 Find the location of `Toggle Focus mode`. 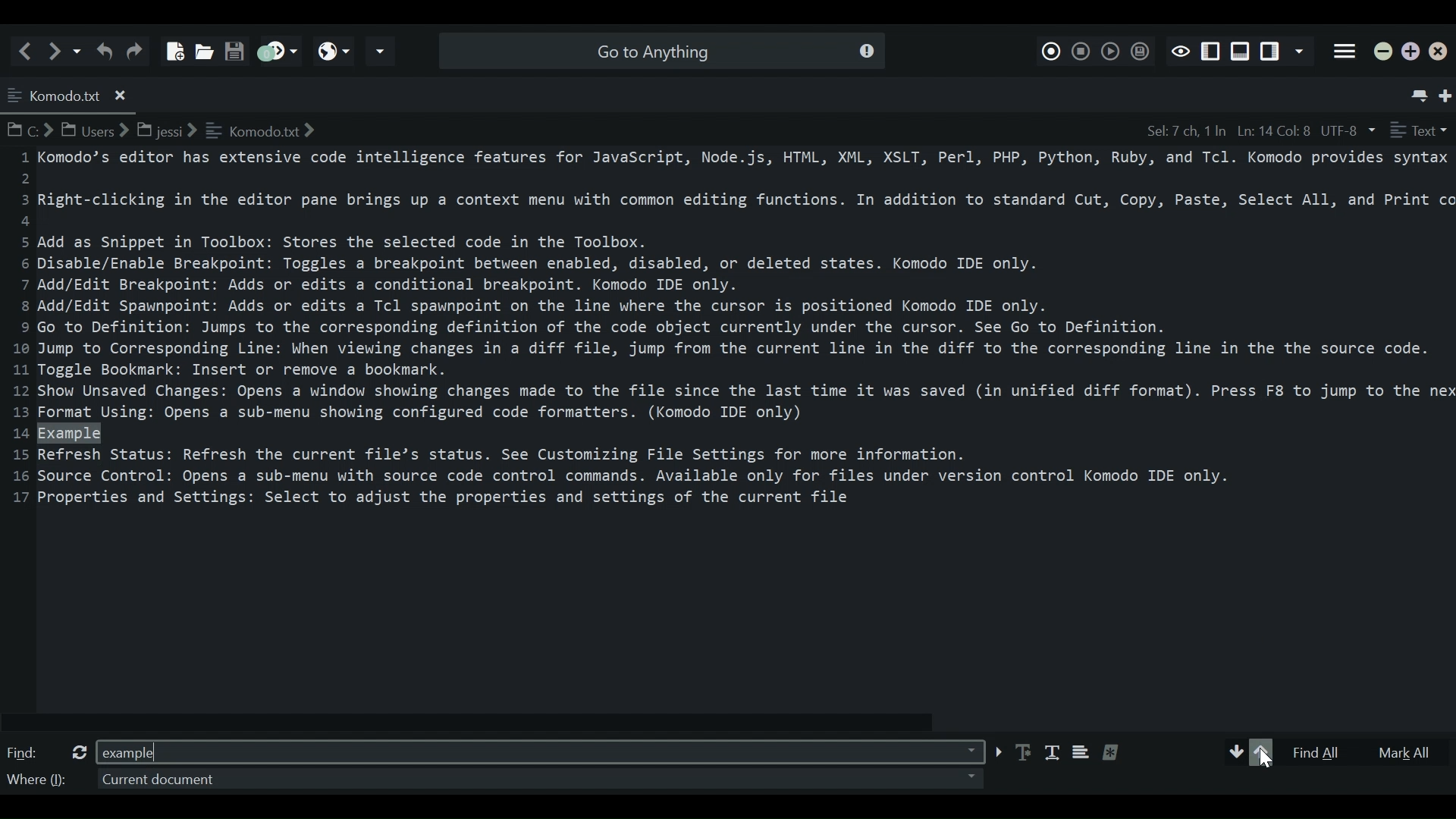

Toggle Focus mode is located at coordinates (1180, 50).